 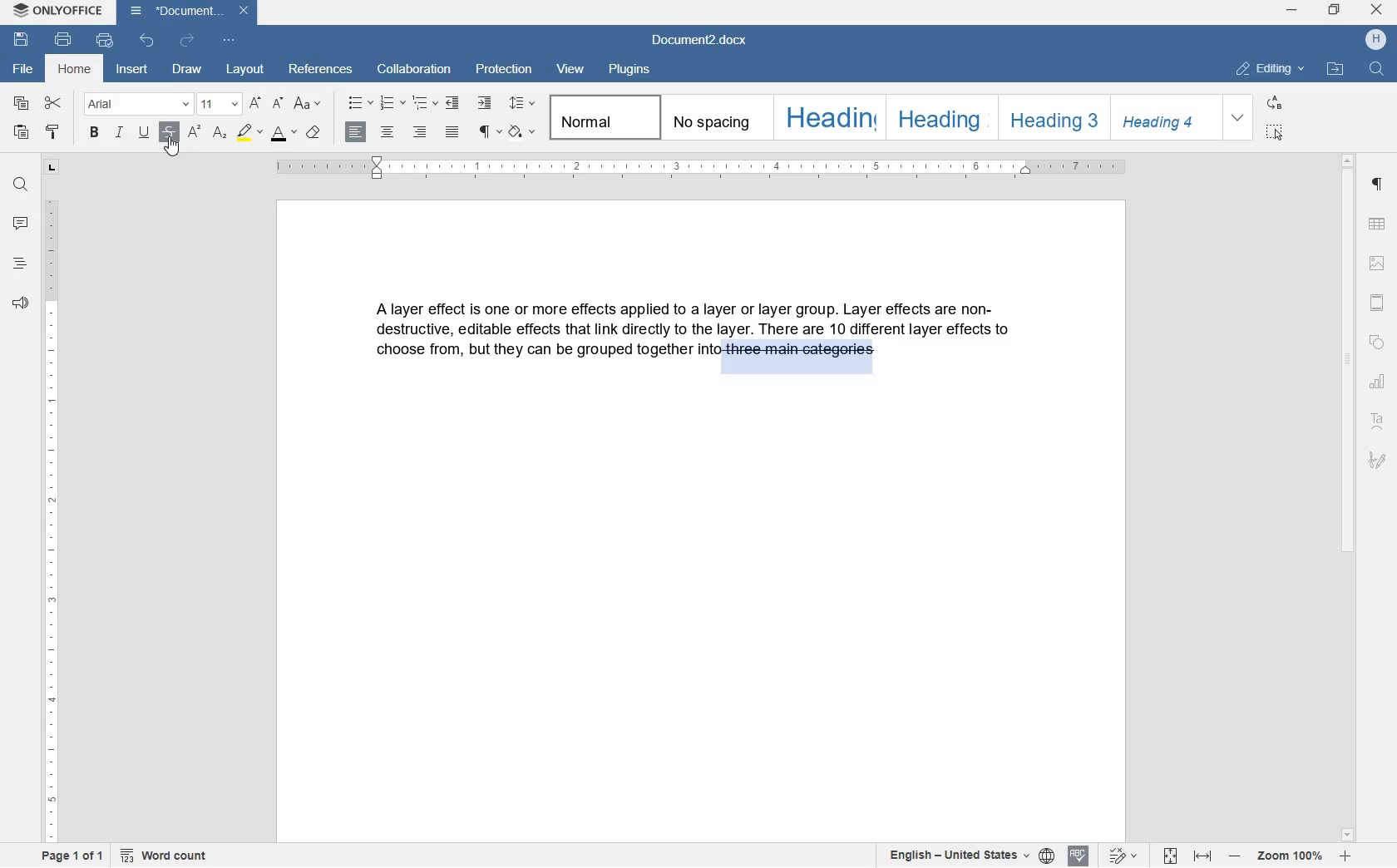 What do you see at coordinates (187, 71) in the screenshot?
I see `draw` at bounding box center [187, 71].